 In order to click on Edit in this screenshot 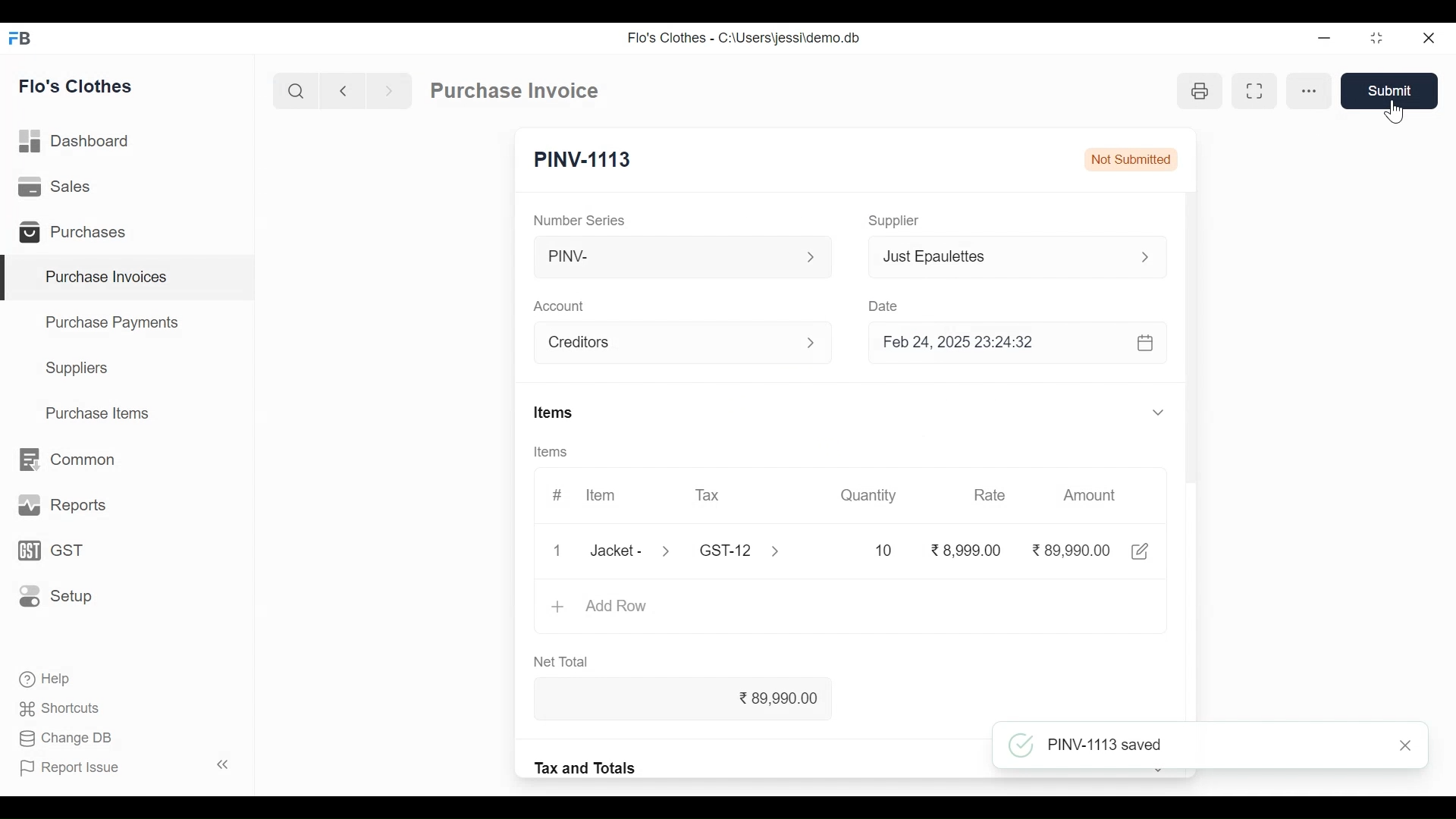, I will do `click(1141, 551)`.